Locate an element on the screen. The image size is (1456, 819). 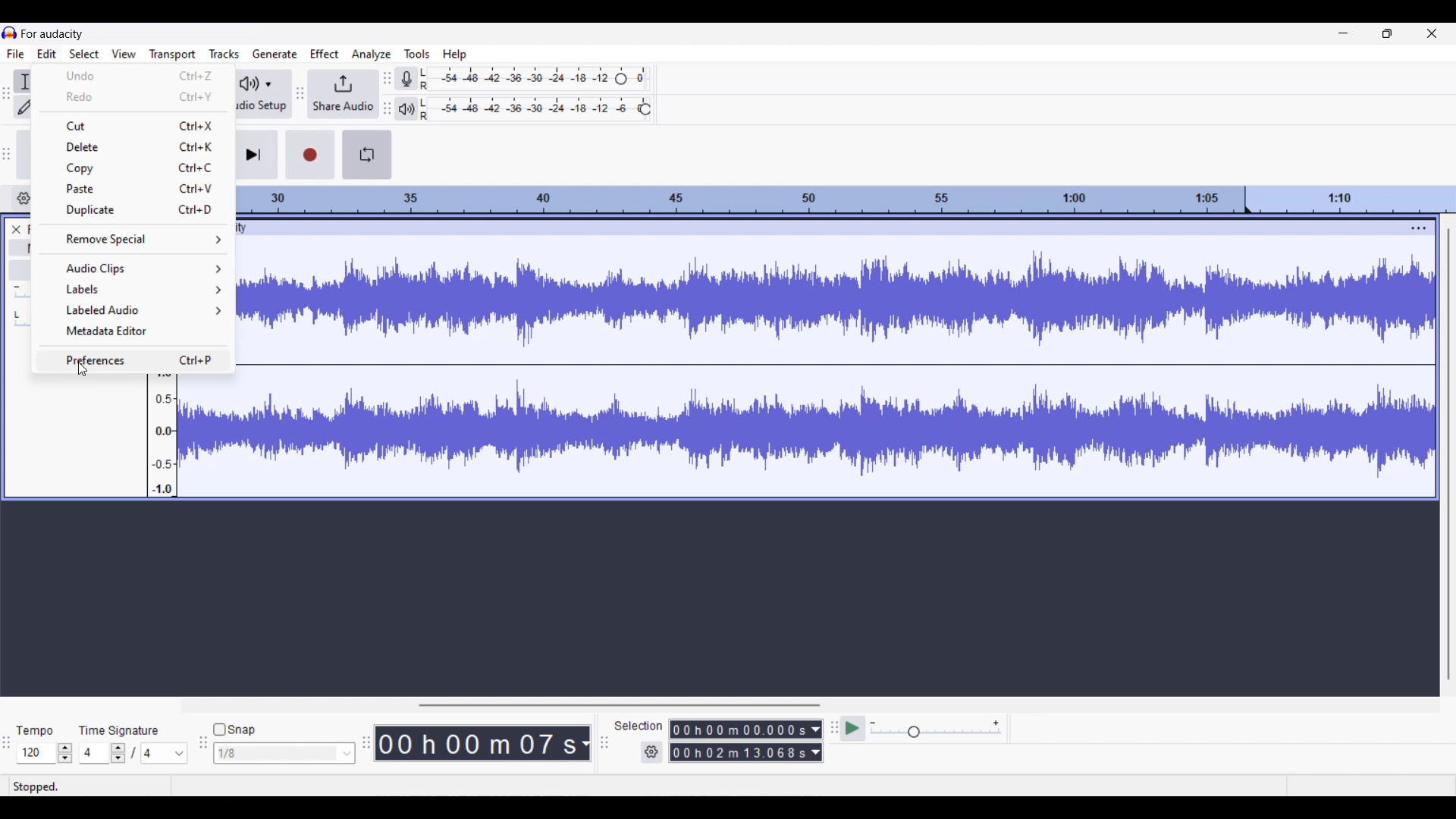
tempo is located at coordinates (35, 732).